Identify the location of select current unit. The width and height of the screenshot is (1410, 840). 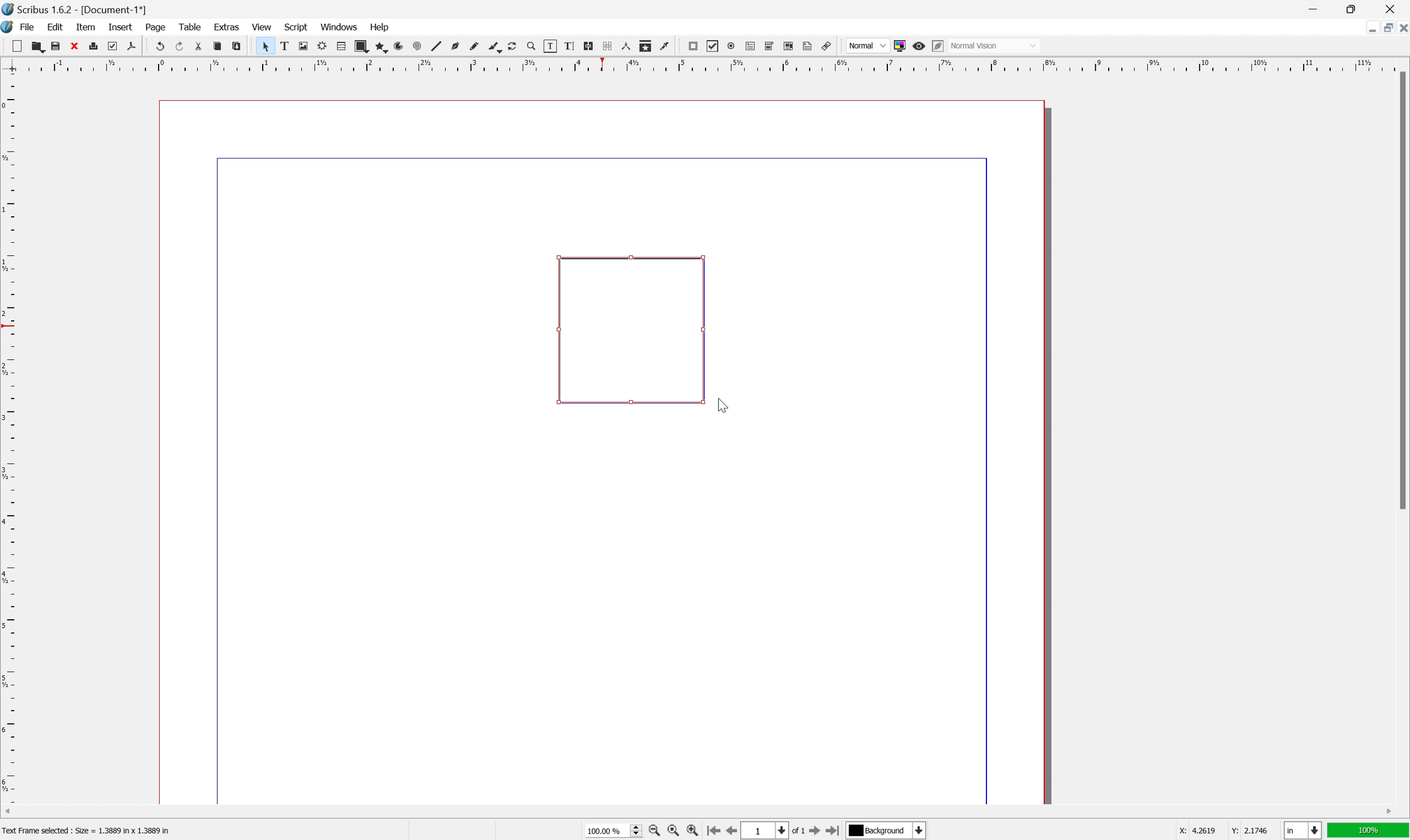
(1302, 830).